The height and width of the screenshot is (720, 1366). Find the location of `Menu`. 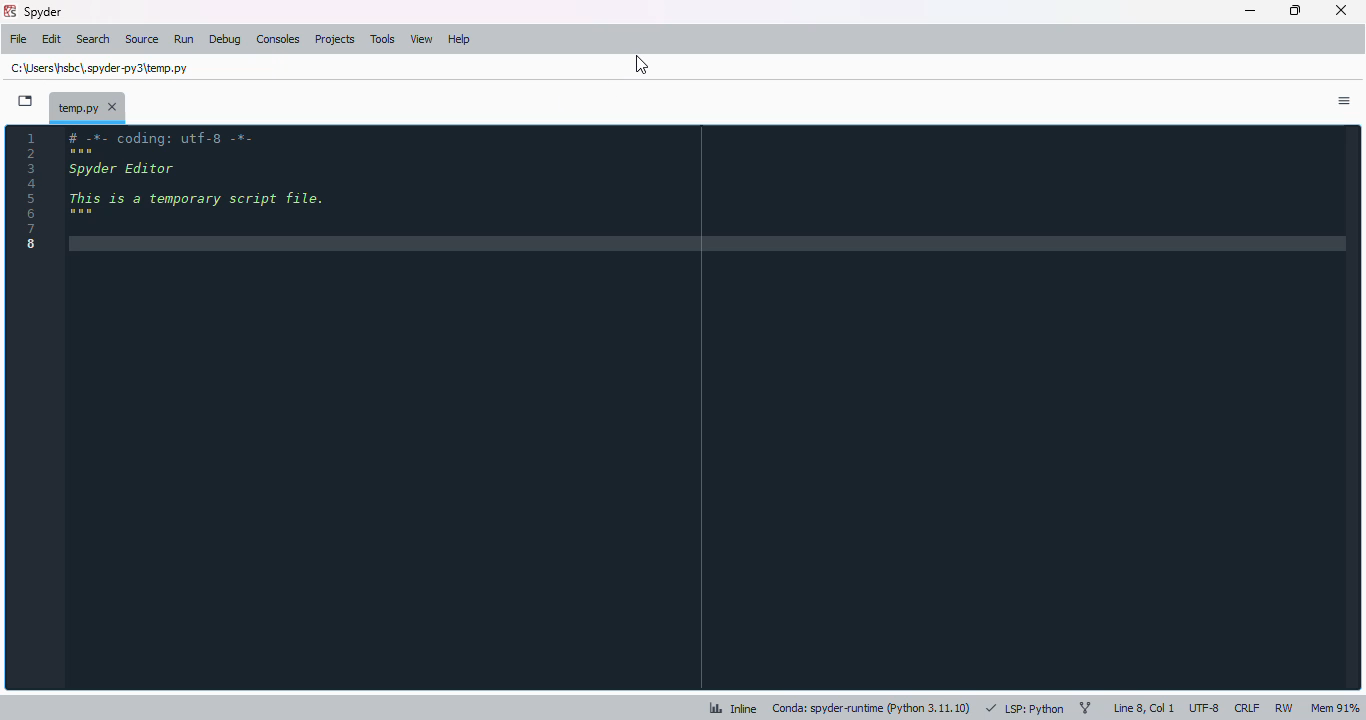

Menu is located at coordinates (1343, 101).